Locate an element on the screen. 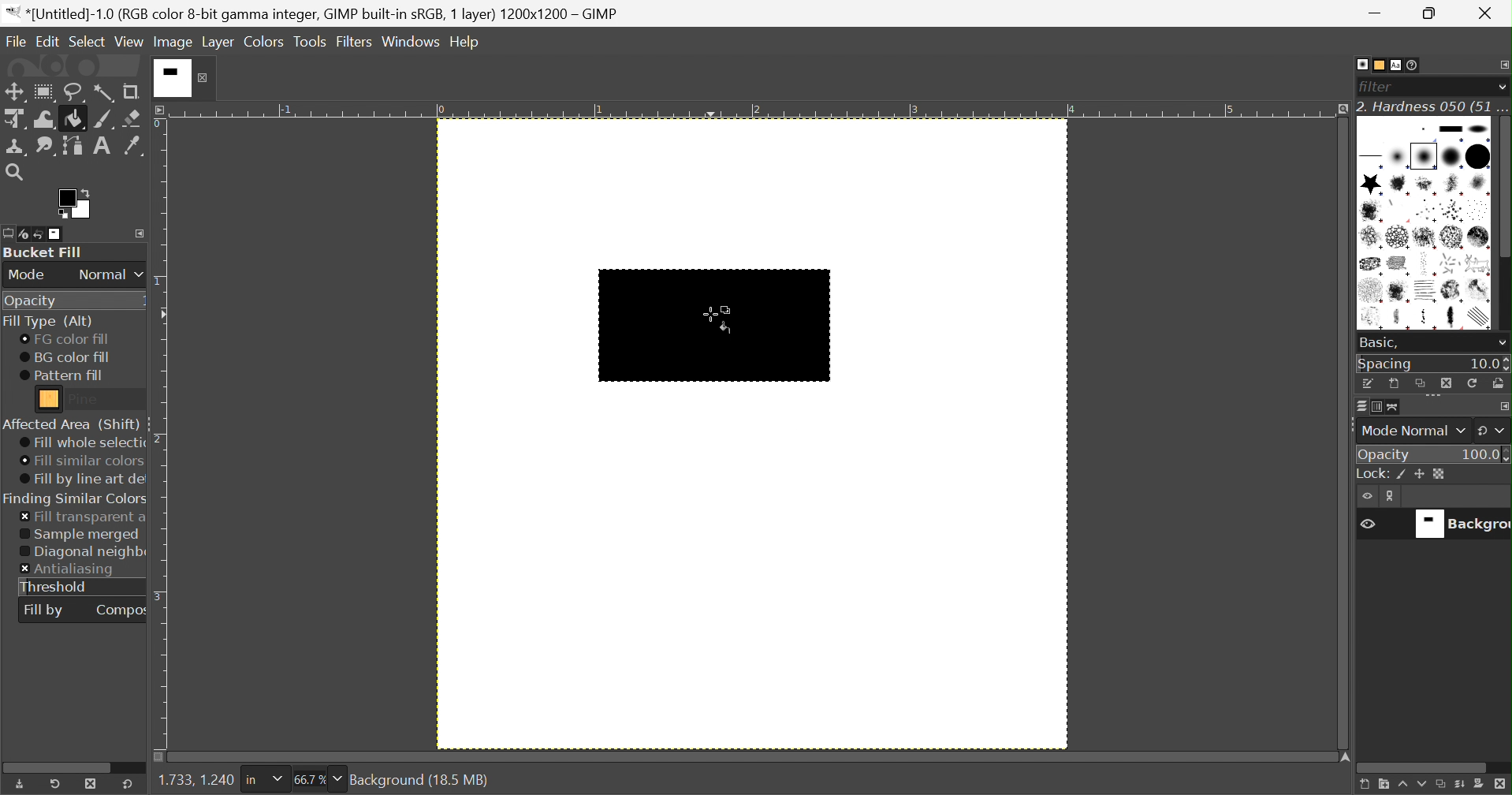  Space is located at coordinates (1386, 364).